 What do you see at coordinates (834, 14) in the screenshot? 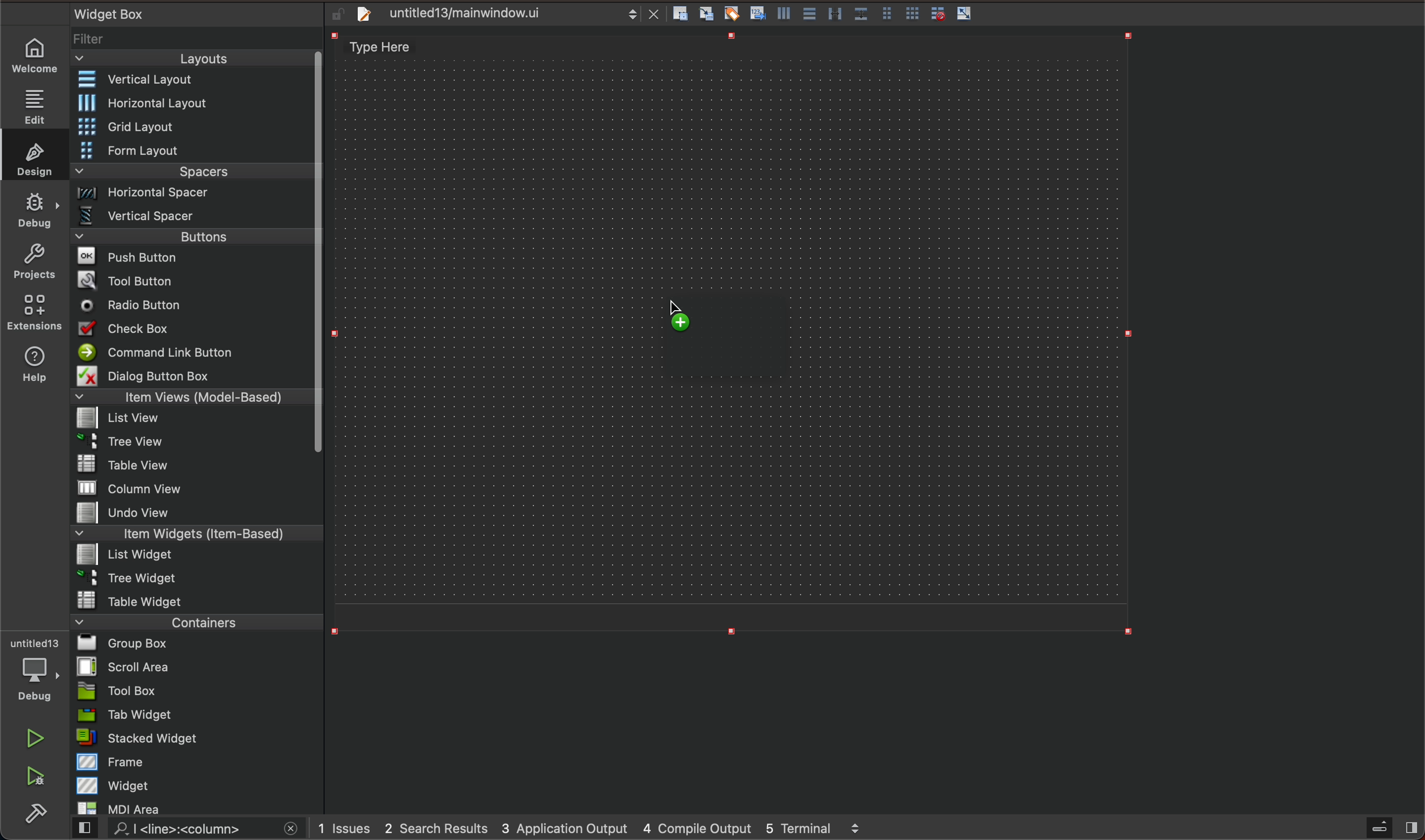
I see `vertical splitter` at bounding box center [834, 14].